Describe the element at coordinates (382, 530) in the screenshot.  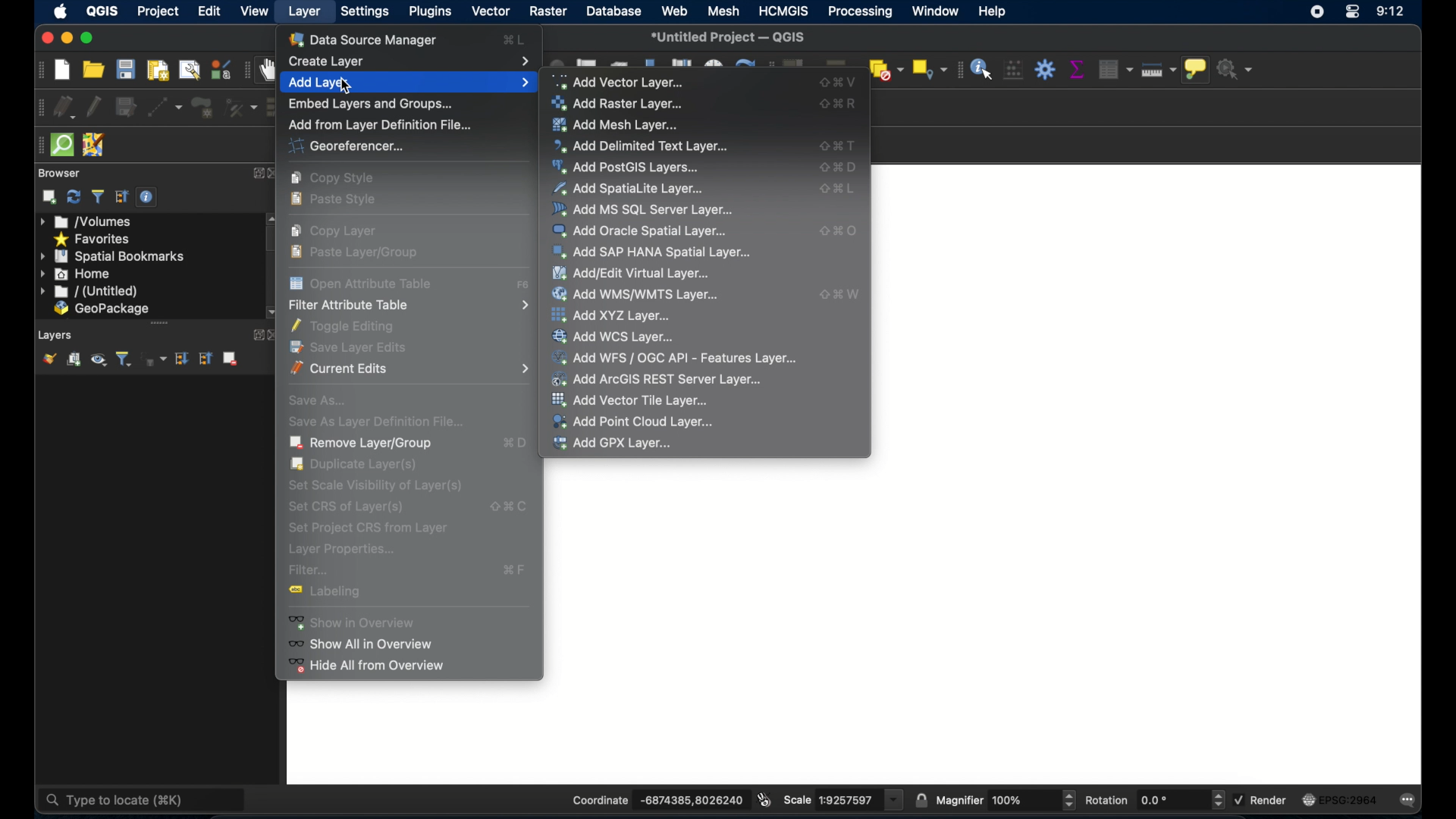
I see `Set Project CRS from layer` at that location.